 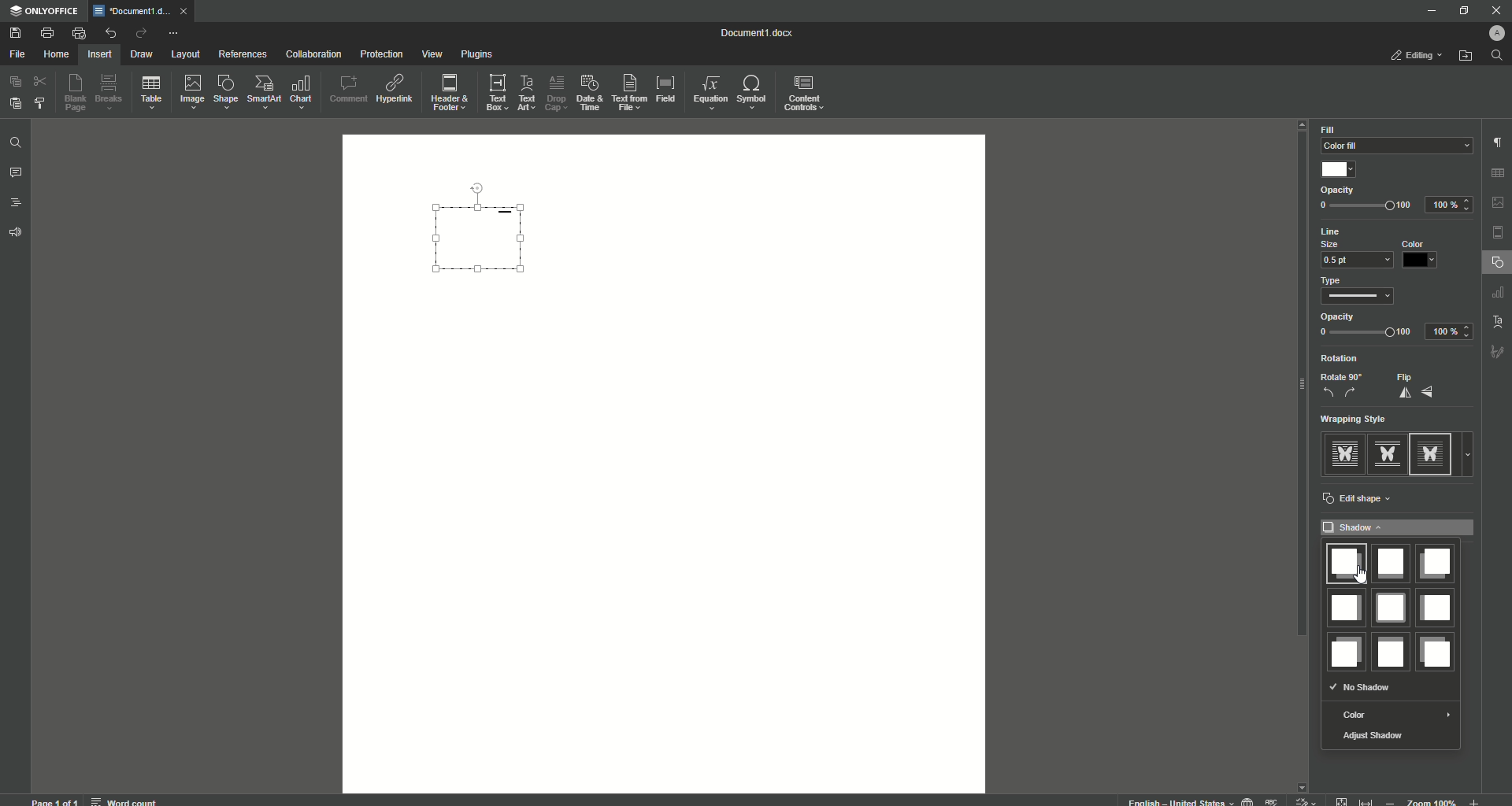 What do you see at coordinates (45, 12) in the screenshot?
I see `ONLYOFFICE` at bounding box center [45, 12].